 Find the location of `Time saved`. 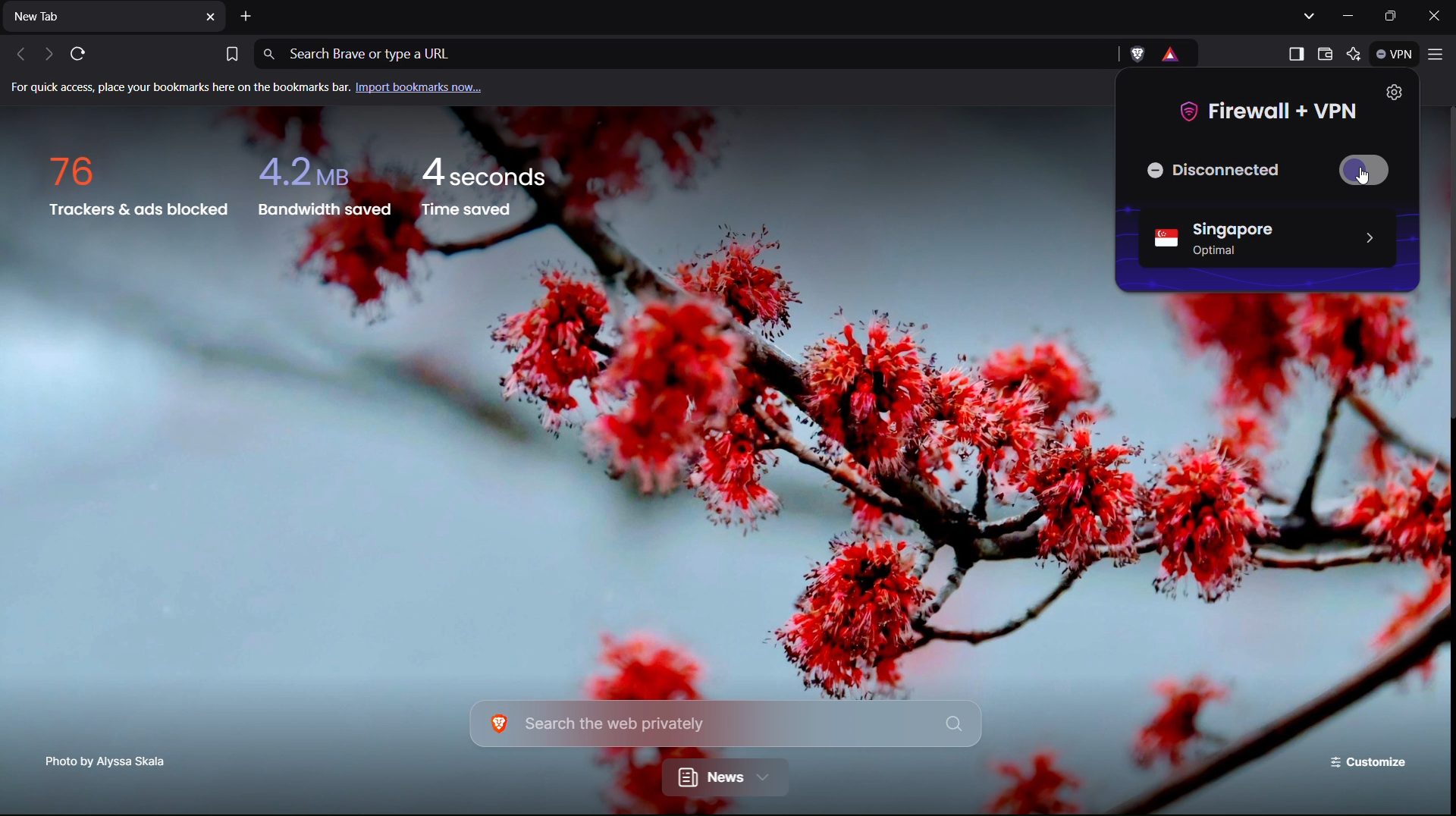

Time saved is located at coordinates (485, 189).